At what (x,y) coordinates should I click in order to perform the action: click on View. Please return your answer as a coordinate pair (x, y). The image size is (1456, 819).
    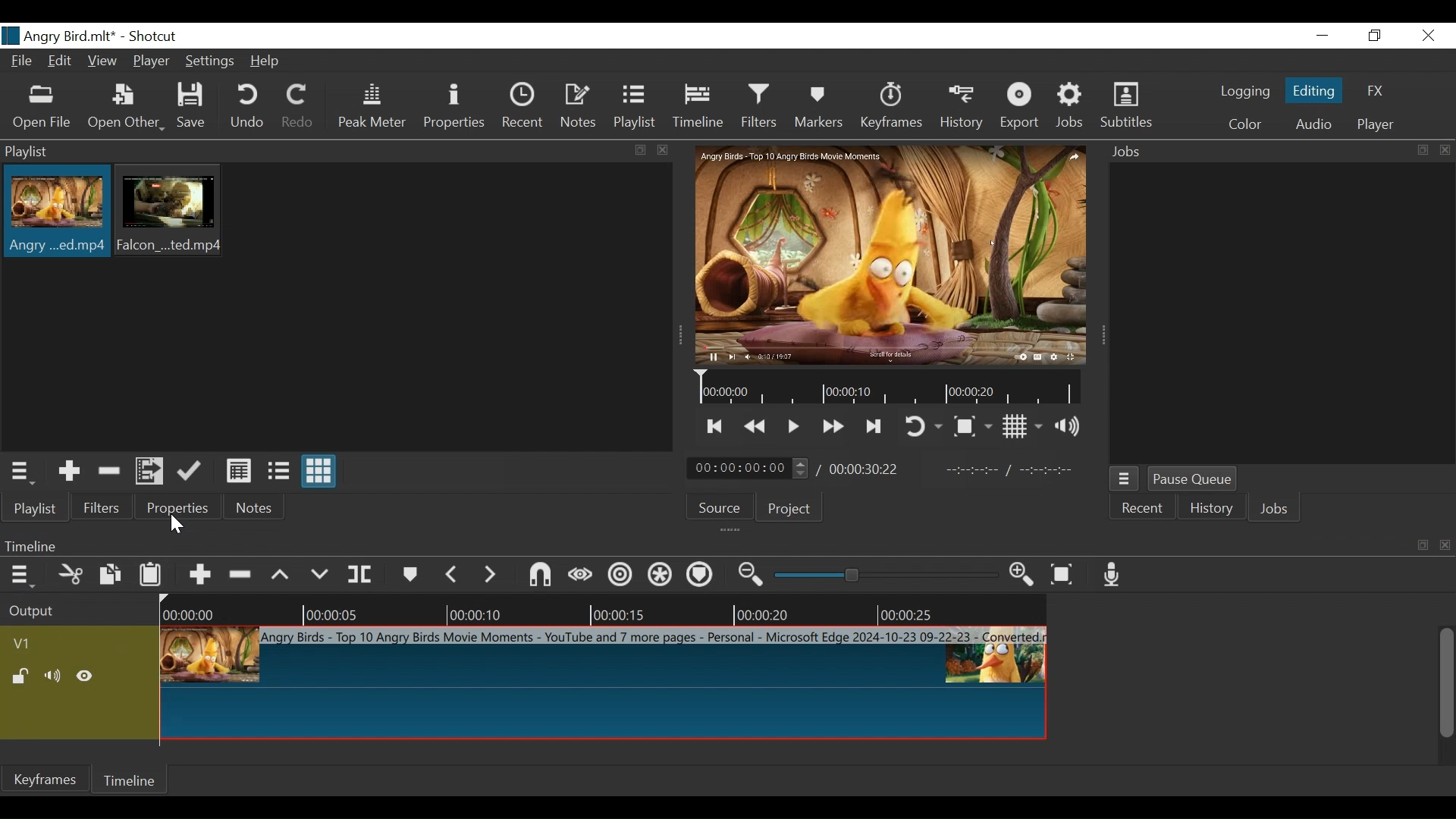
    Looking at the image, I should click on (102, 61).